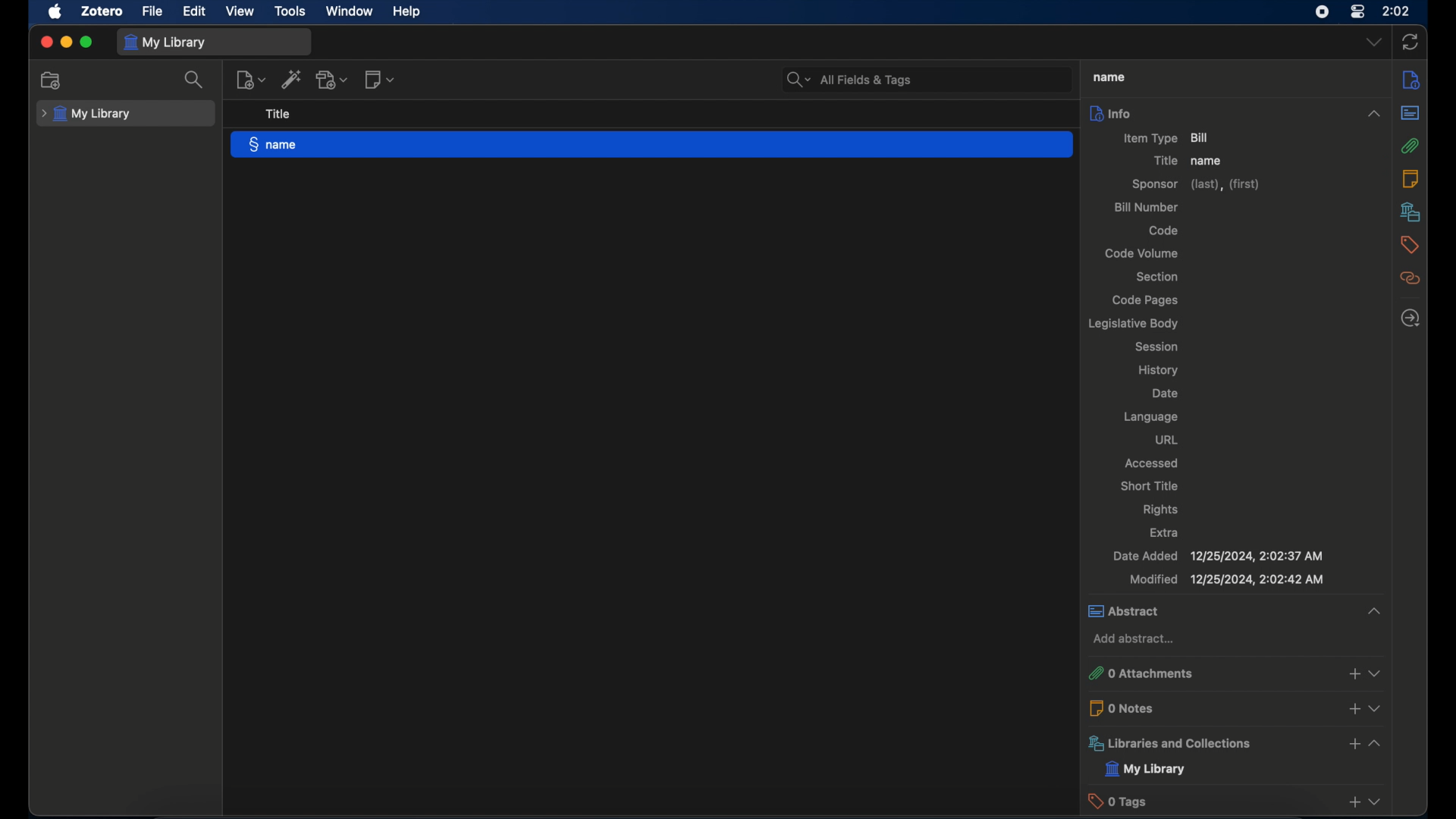 The width and height of the screenshot is (1456, 819). What do you see at coordinates (1409, 245) in the screenshot?
I see `tags` at bounding box center [1409, 245].